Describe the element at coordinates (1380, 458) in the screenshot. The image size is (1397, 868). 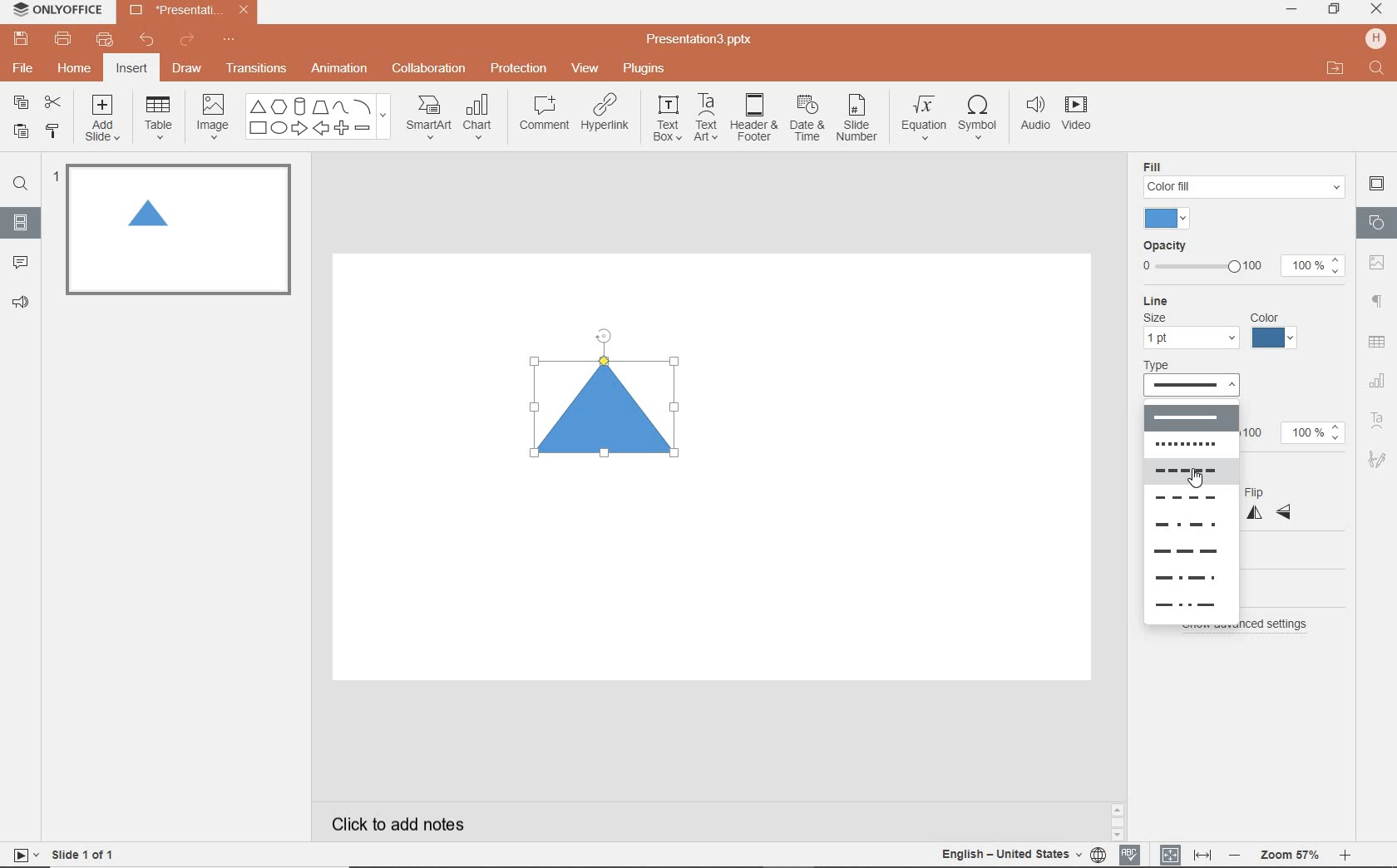
I see `SIGNATURE` at that location.